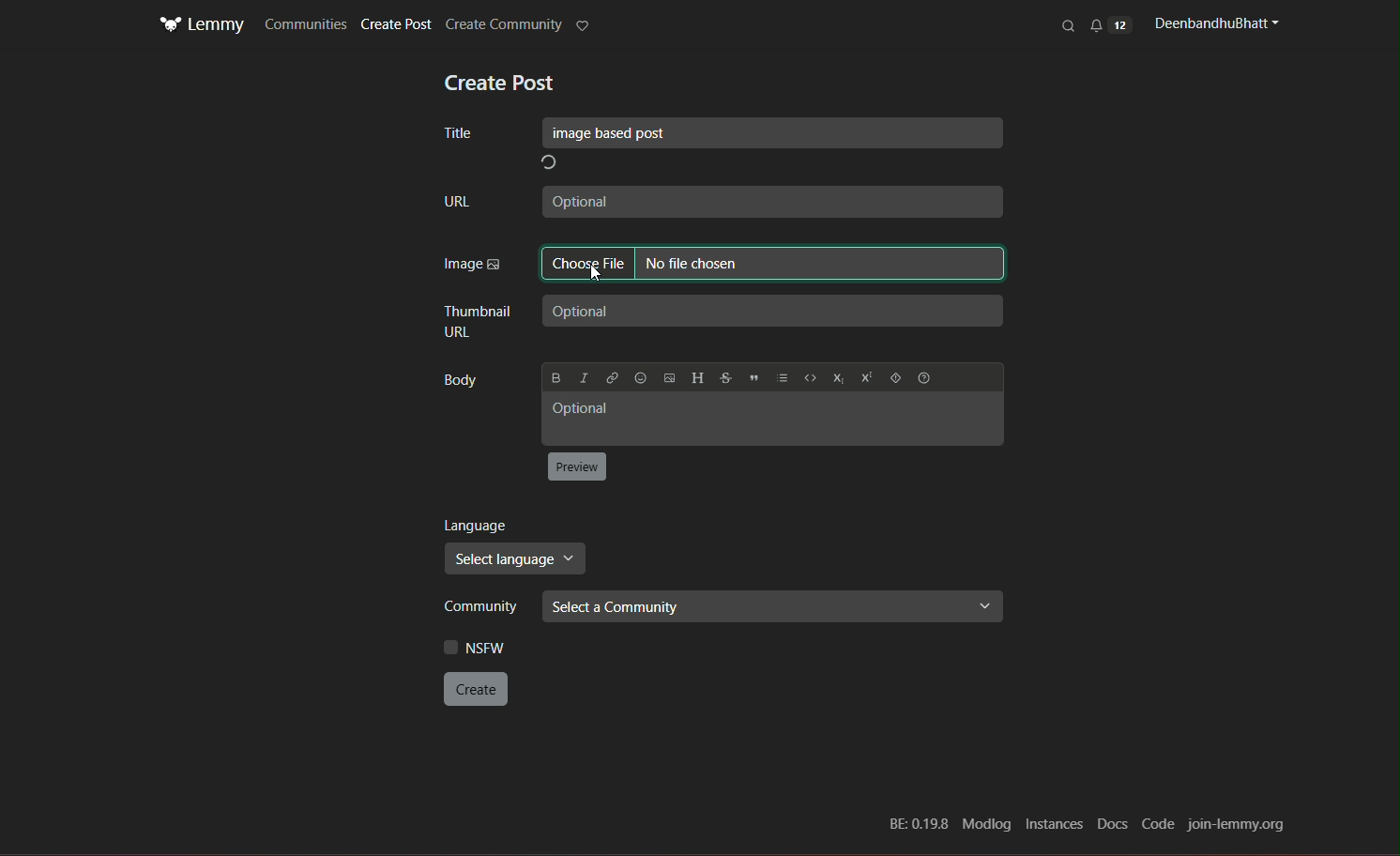  Describe the element at coordinates (585, 27) in the screenshot. I see `highlight` at that location.